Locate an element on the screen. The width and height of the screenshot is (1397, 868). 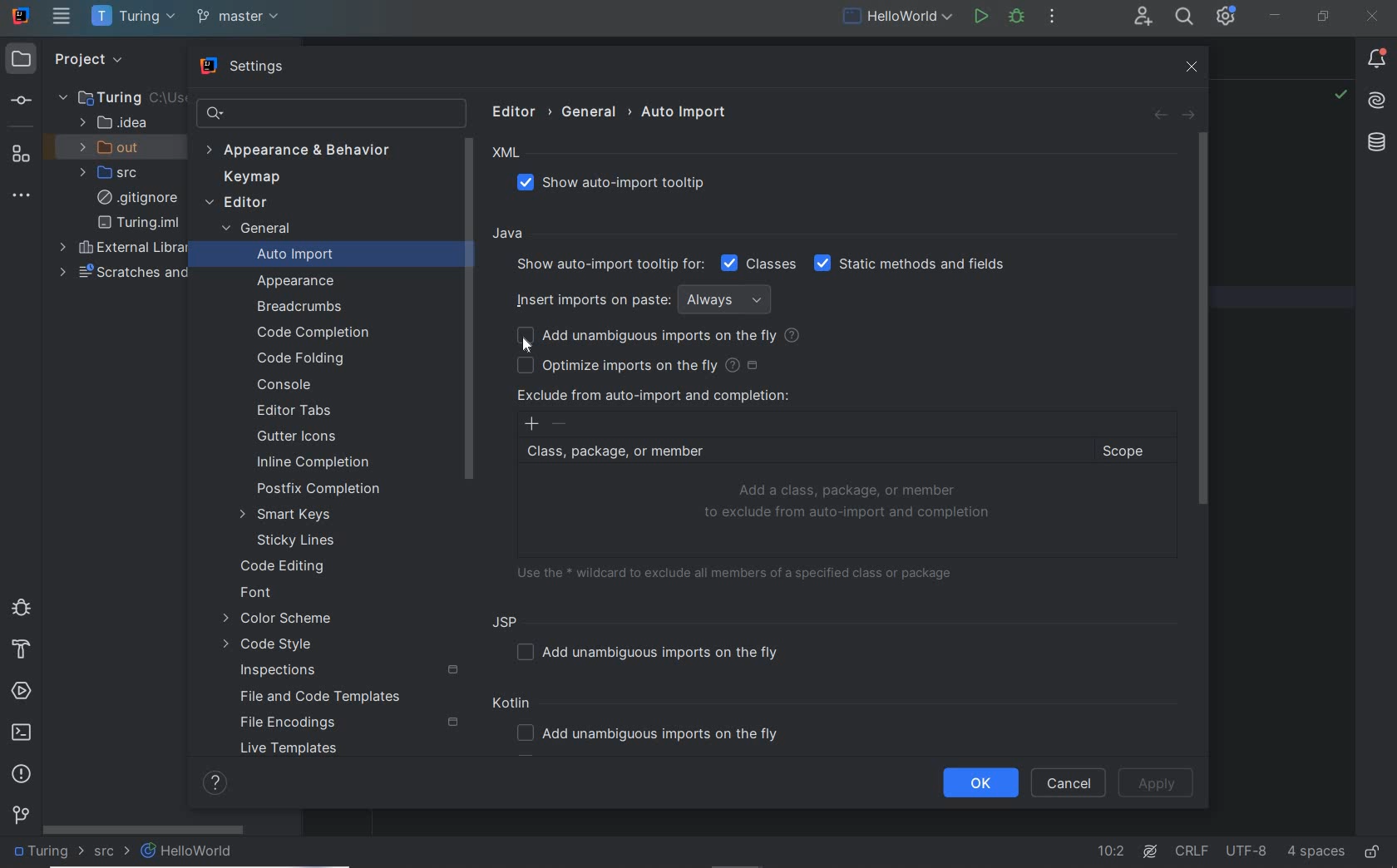
git branch: master is located at coordinates (240, 17).